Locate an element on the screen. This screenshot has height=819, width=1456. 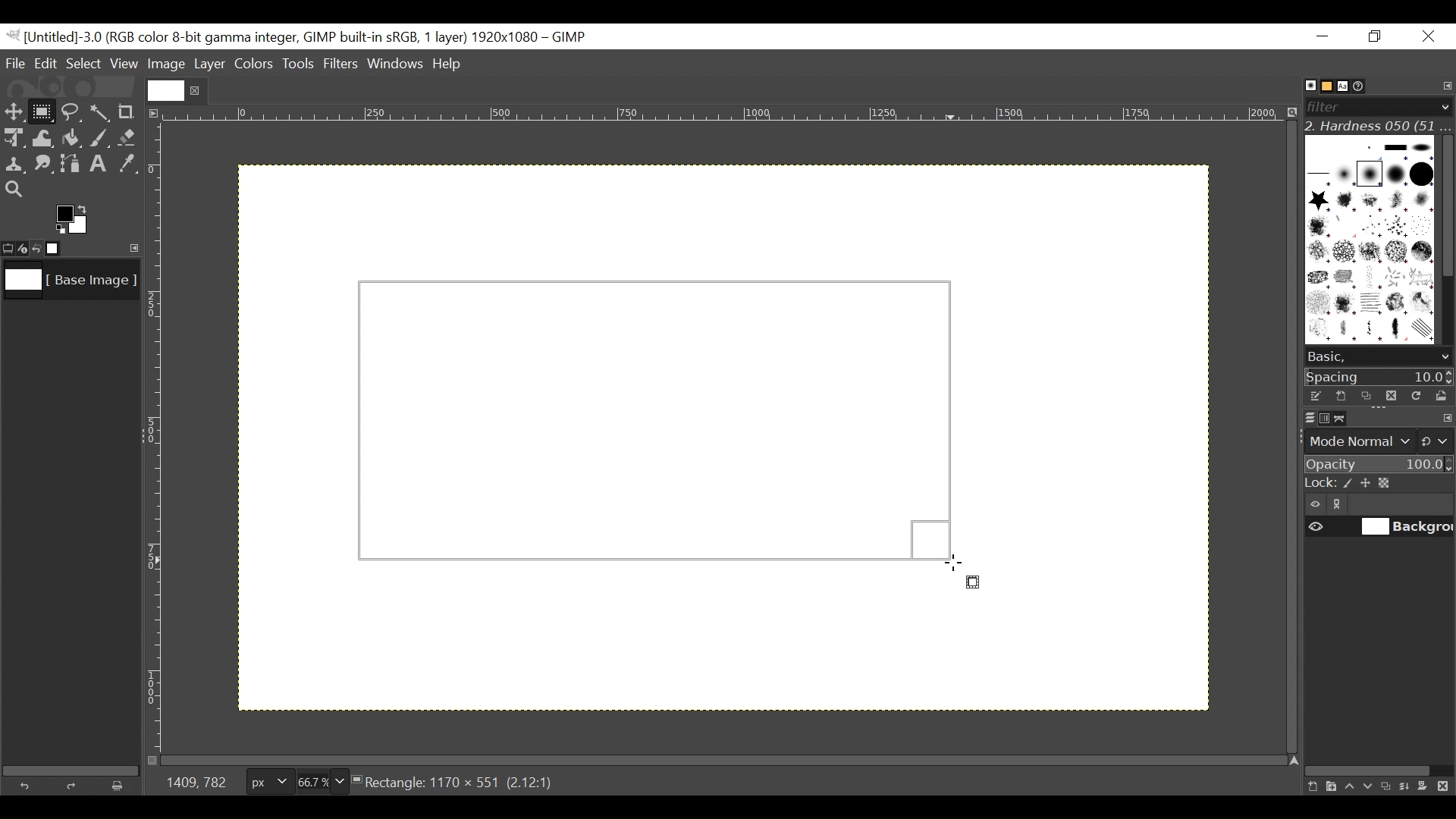
scroll down is located at coordinates (1445, 357).